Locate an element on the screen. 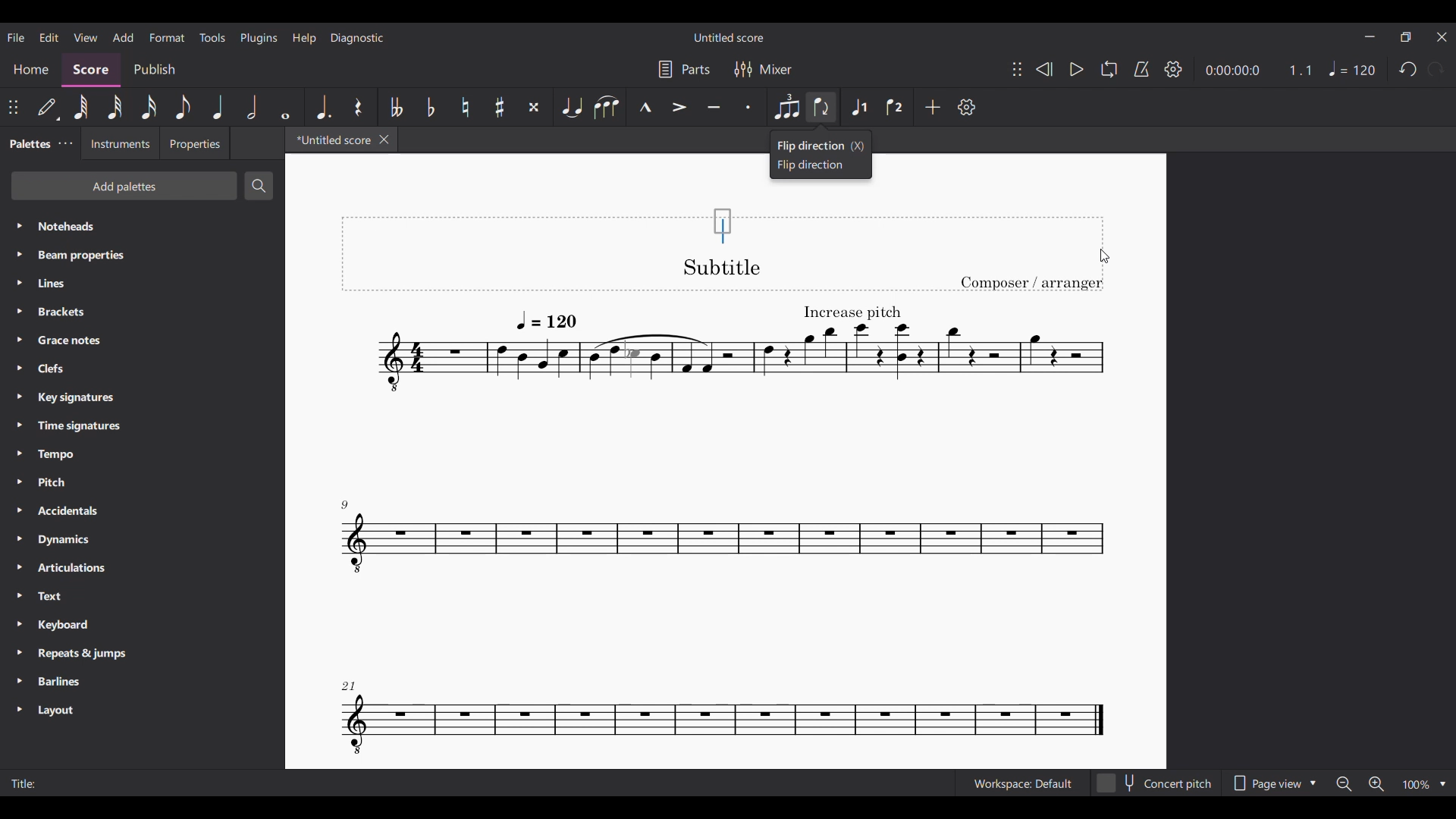 This screenshot has height=819, width=1456. Toggle flat is located at coordinates (431, 107).